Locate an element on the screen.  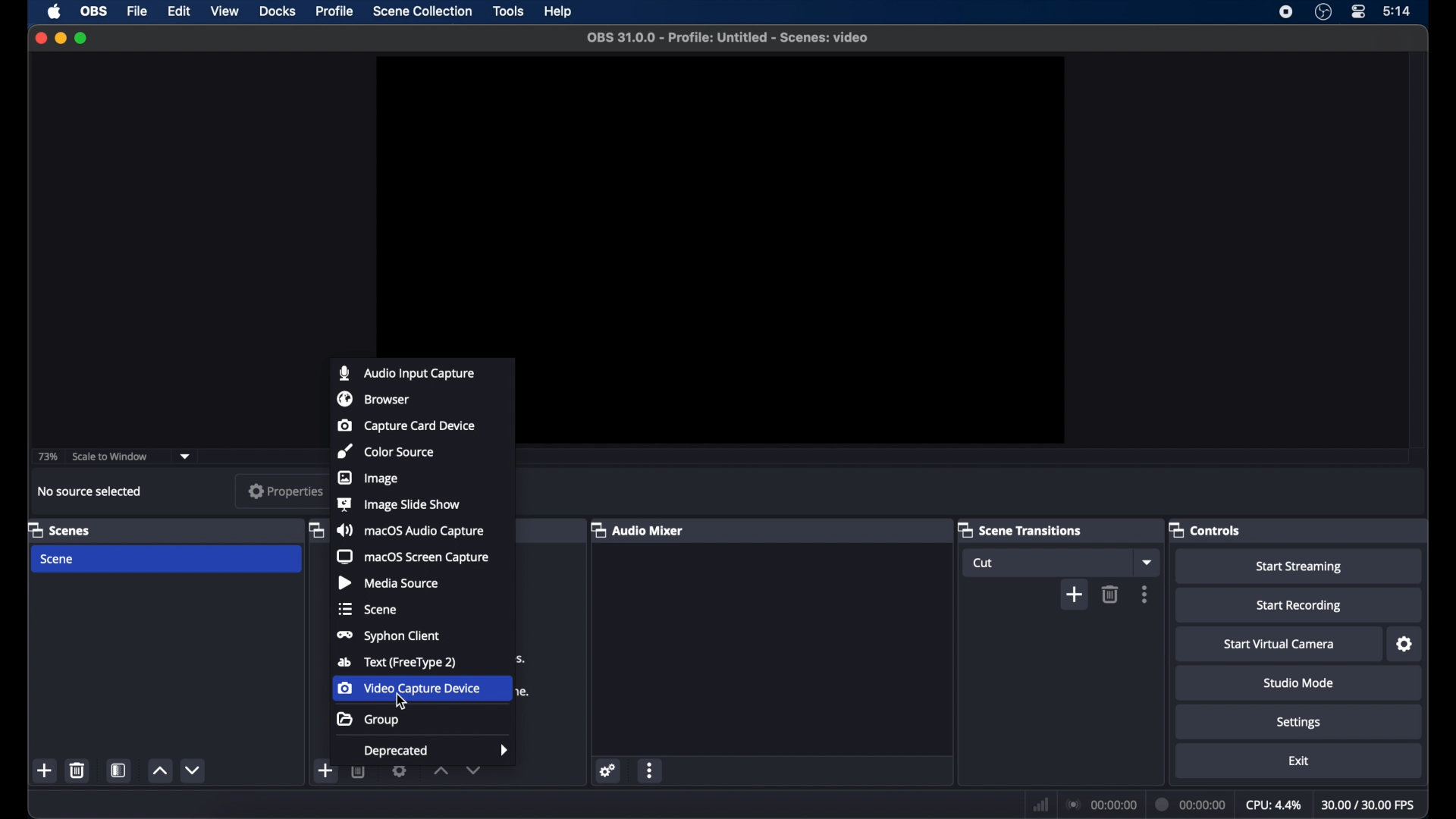
audiomixer is located at coordinates (637, 529).